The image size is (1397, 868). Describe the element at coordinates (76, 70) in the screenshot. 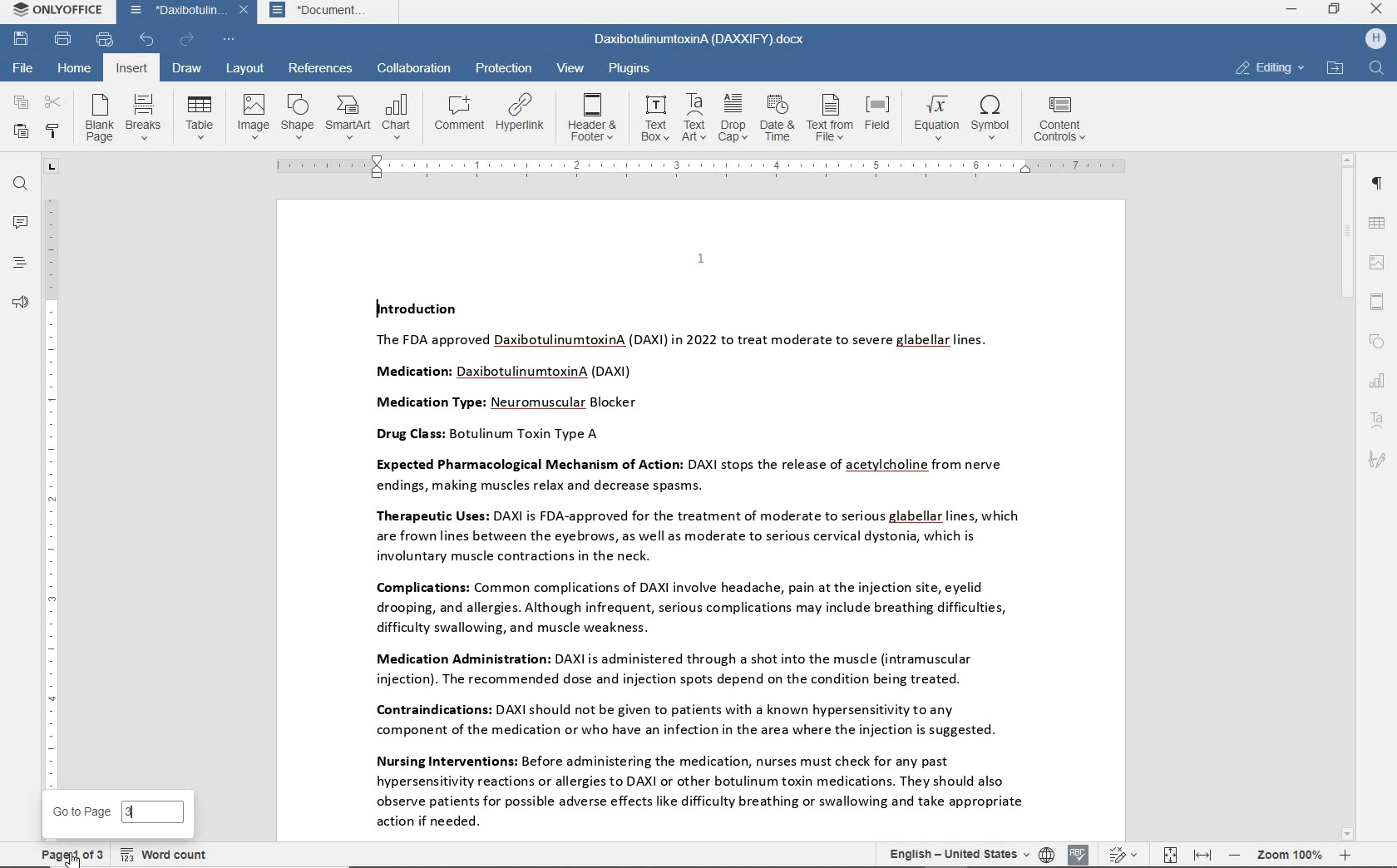

I see `home` at that location.